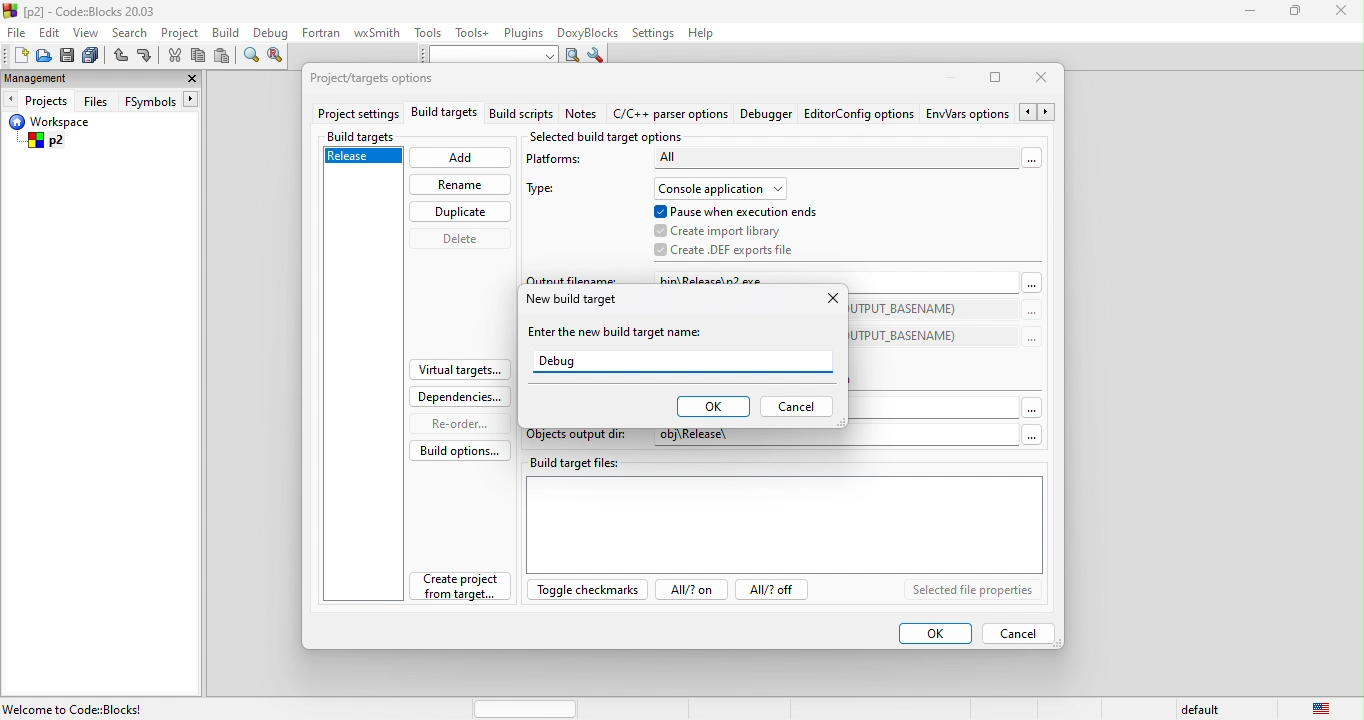  I want to click on edit, so click(52, 31).